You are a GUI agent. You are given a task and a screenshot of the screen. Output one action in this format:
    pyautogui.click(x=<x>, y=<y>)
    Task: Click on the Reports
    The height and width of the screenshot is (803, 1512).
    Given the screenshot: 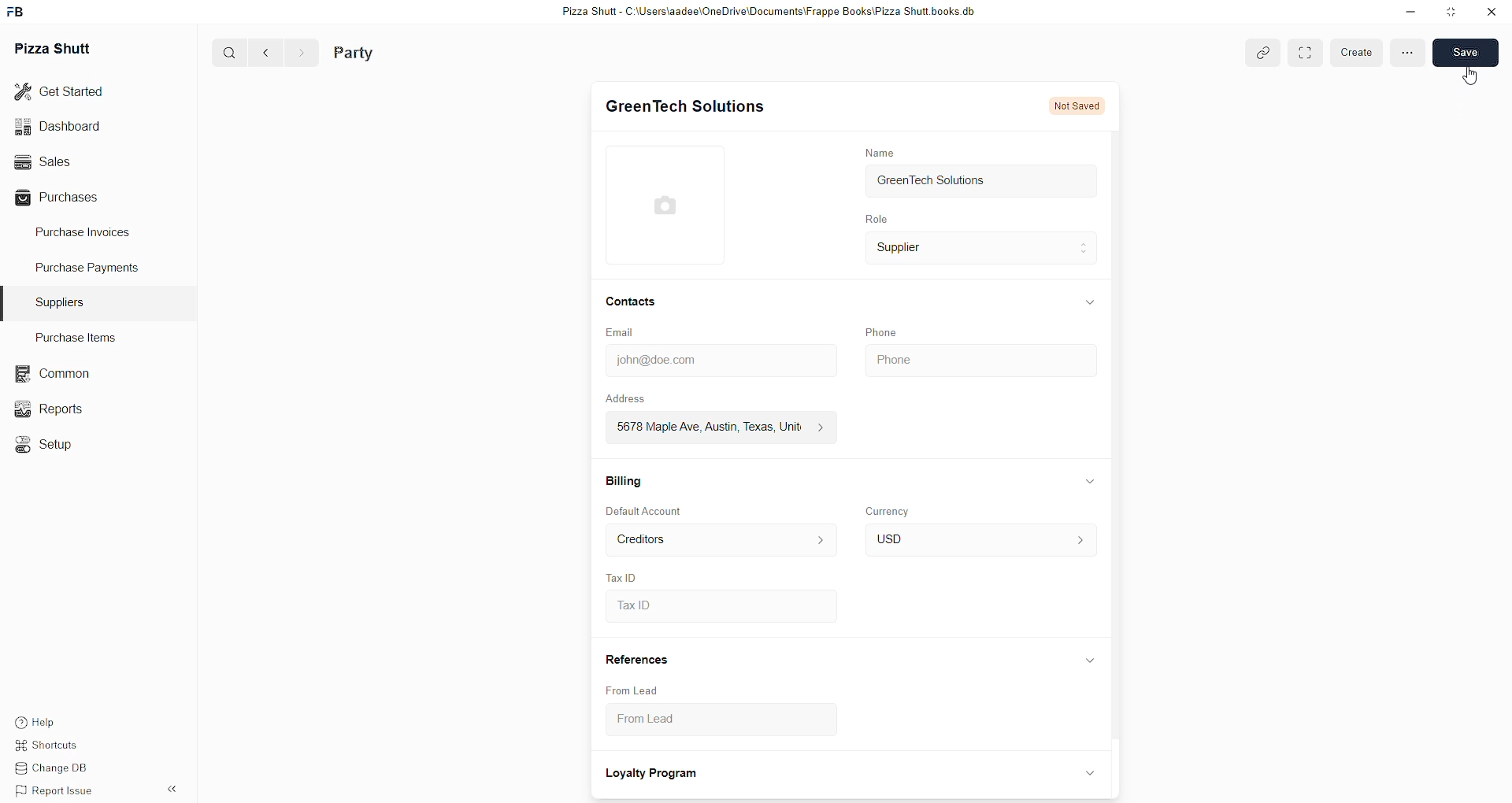 What is the action you would take?
    pyautogui.click(x=51, y=409)
    